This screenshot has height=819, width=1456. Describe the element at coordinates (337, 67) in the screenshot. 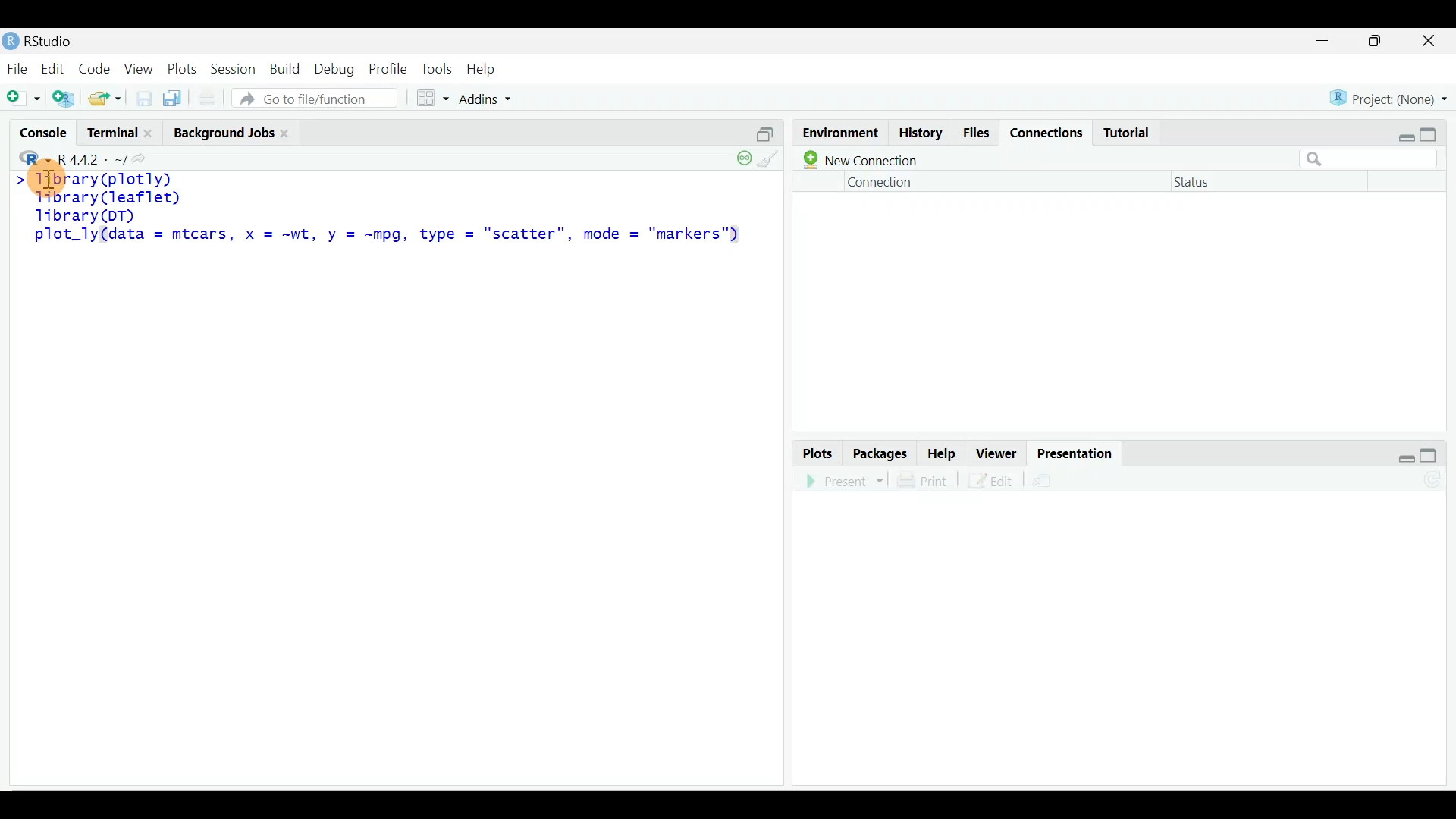

I see `Debug` at that location.